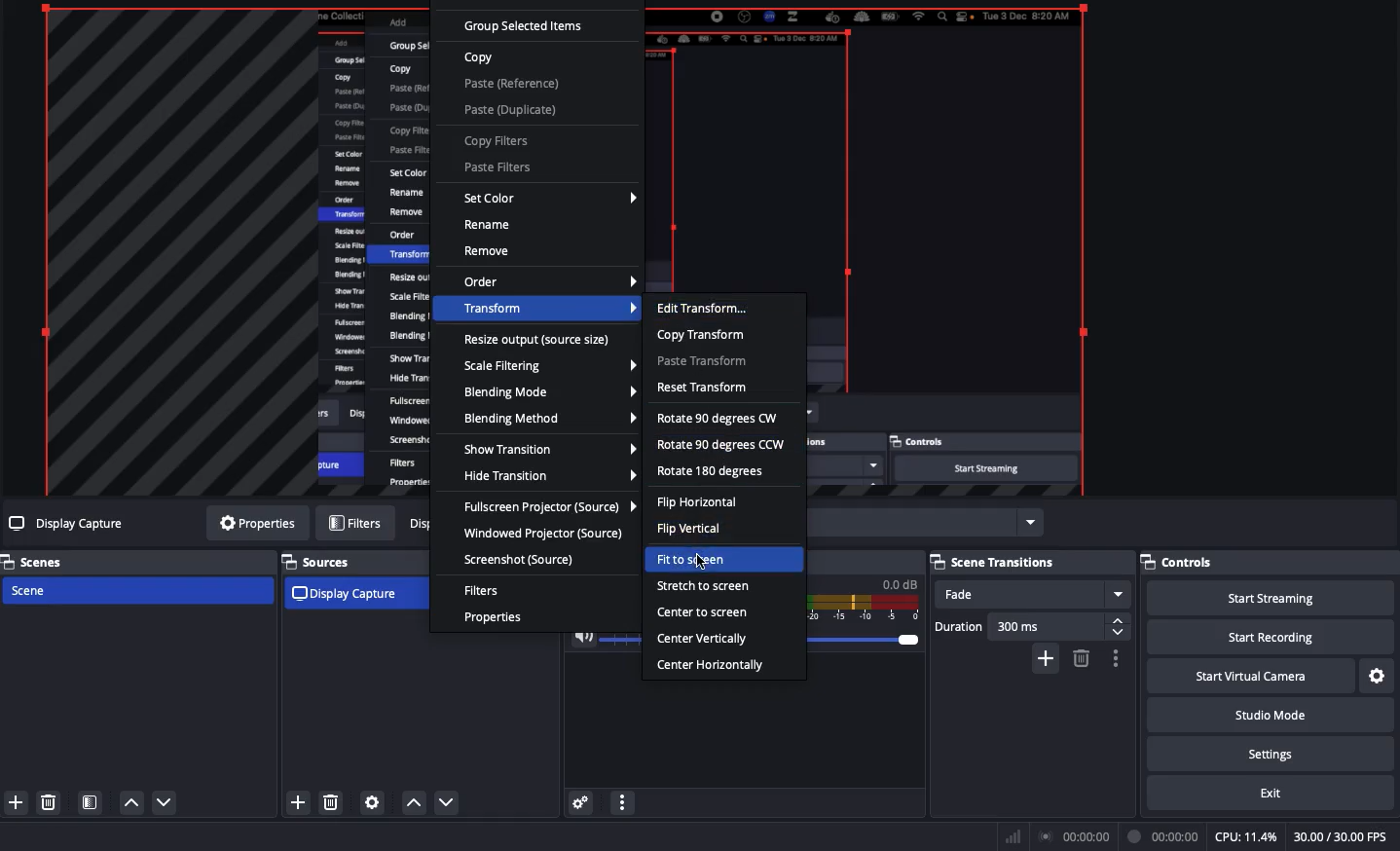 The width and height of the screenshot is (1400, 851). What do you see at coordinates (624, 802) in the screenshot?
I see `options` at bounding box center [624, 802].